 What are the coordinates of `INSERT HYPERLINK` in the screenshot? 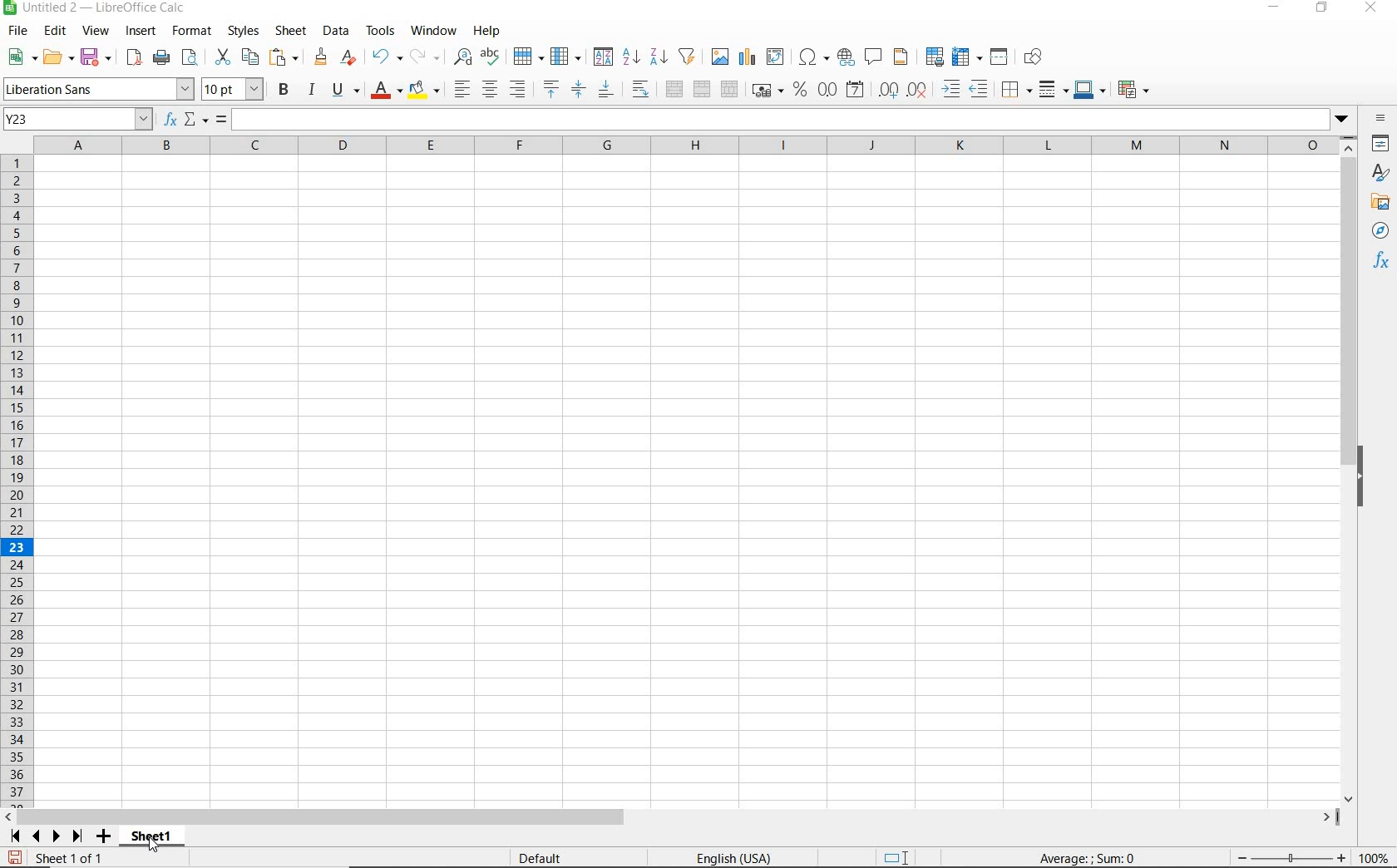 It's located at (846, 57).